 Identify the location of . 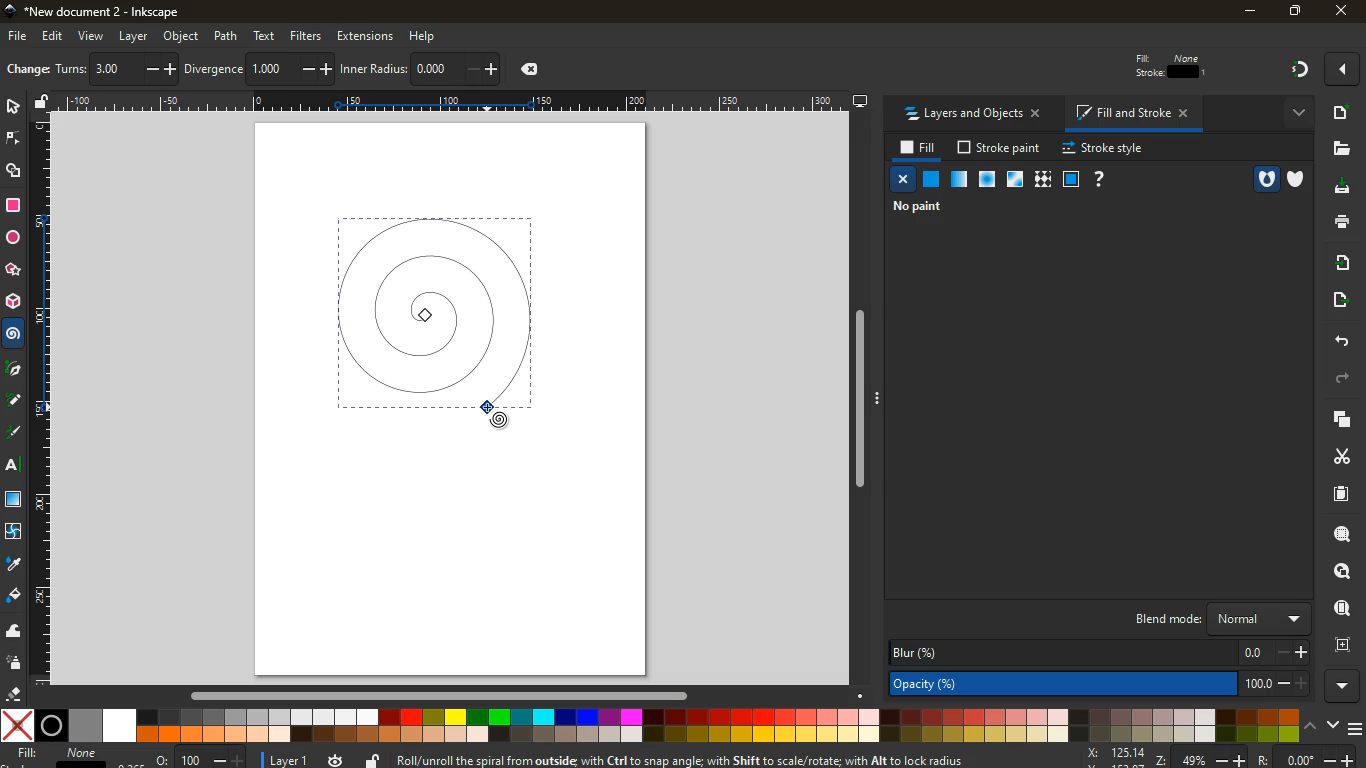
(88, 34).